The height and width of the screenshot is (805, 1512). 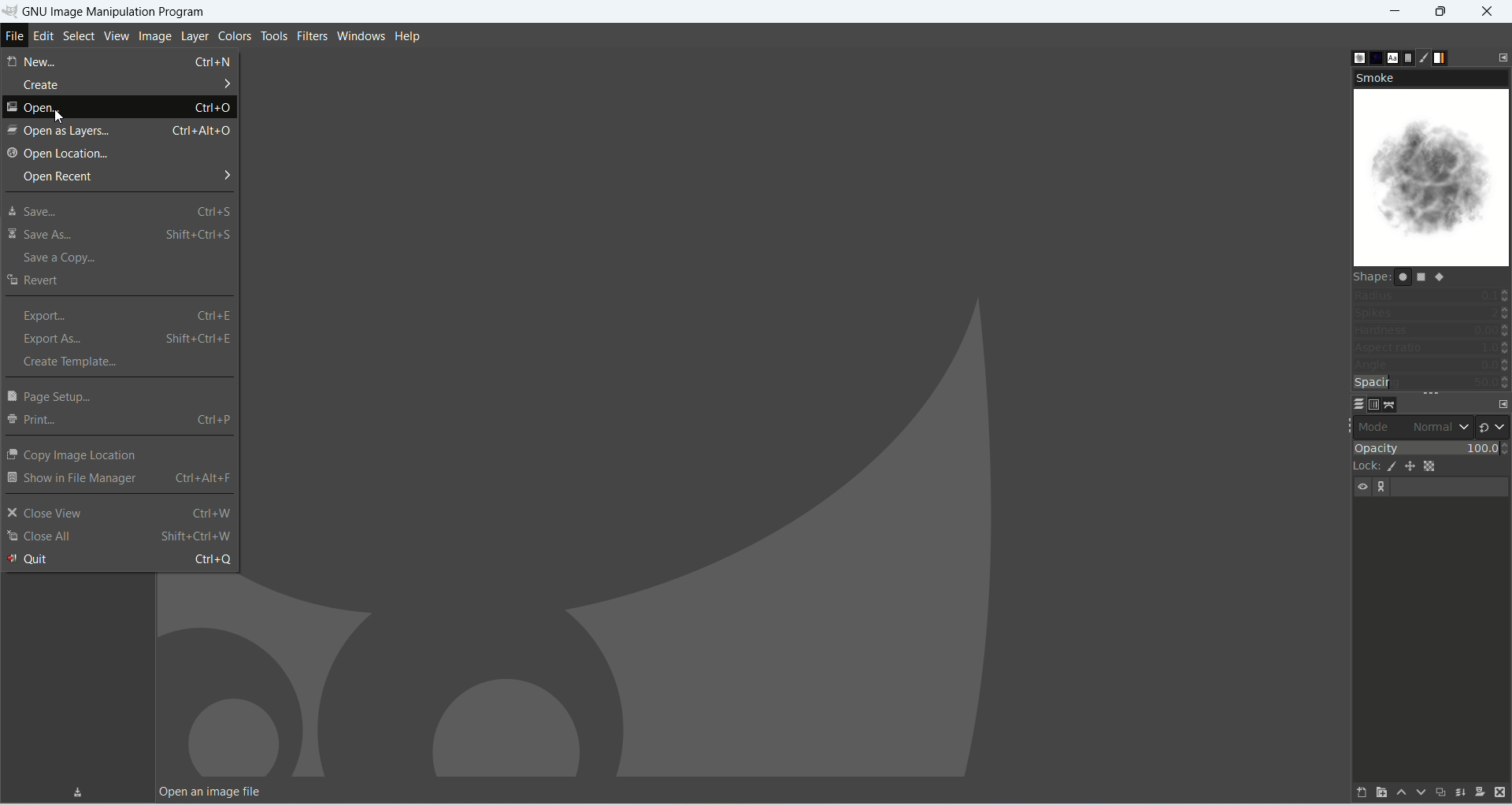 What do you see at coordinates (1431, 364) in the screenshot?
I see `angle` at bounding box center [1431, 364].